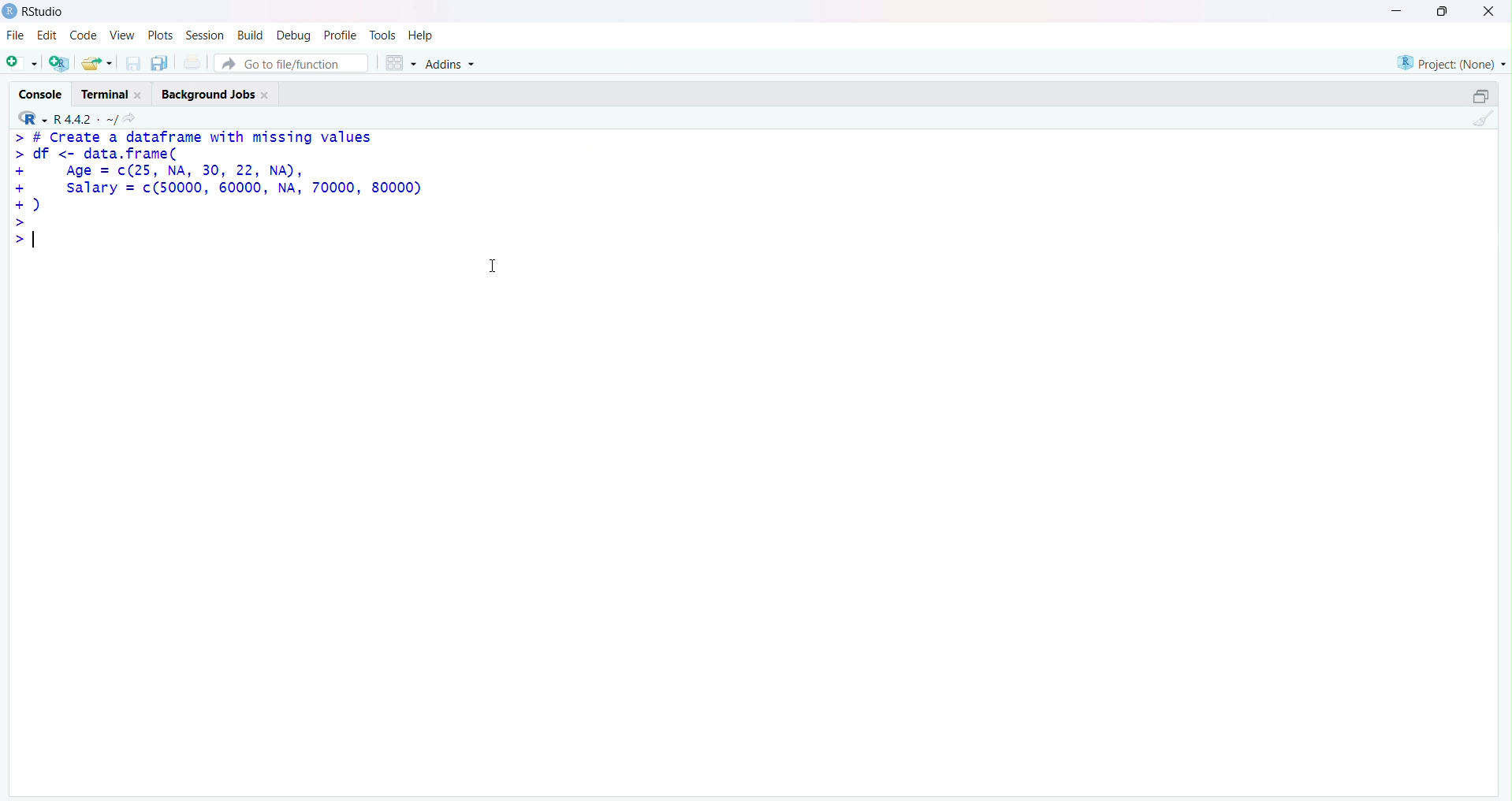  Describe the element at coordinates (192, 61) in the screenshot. I see `Print the current file` at that location.